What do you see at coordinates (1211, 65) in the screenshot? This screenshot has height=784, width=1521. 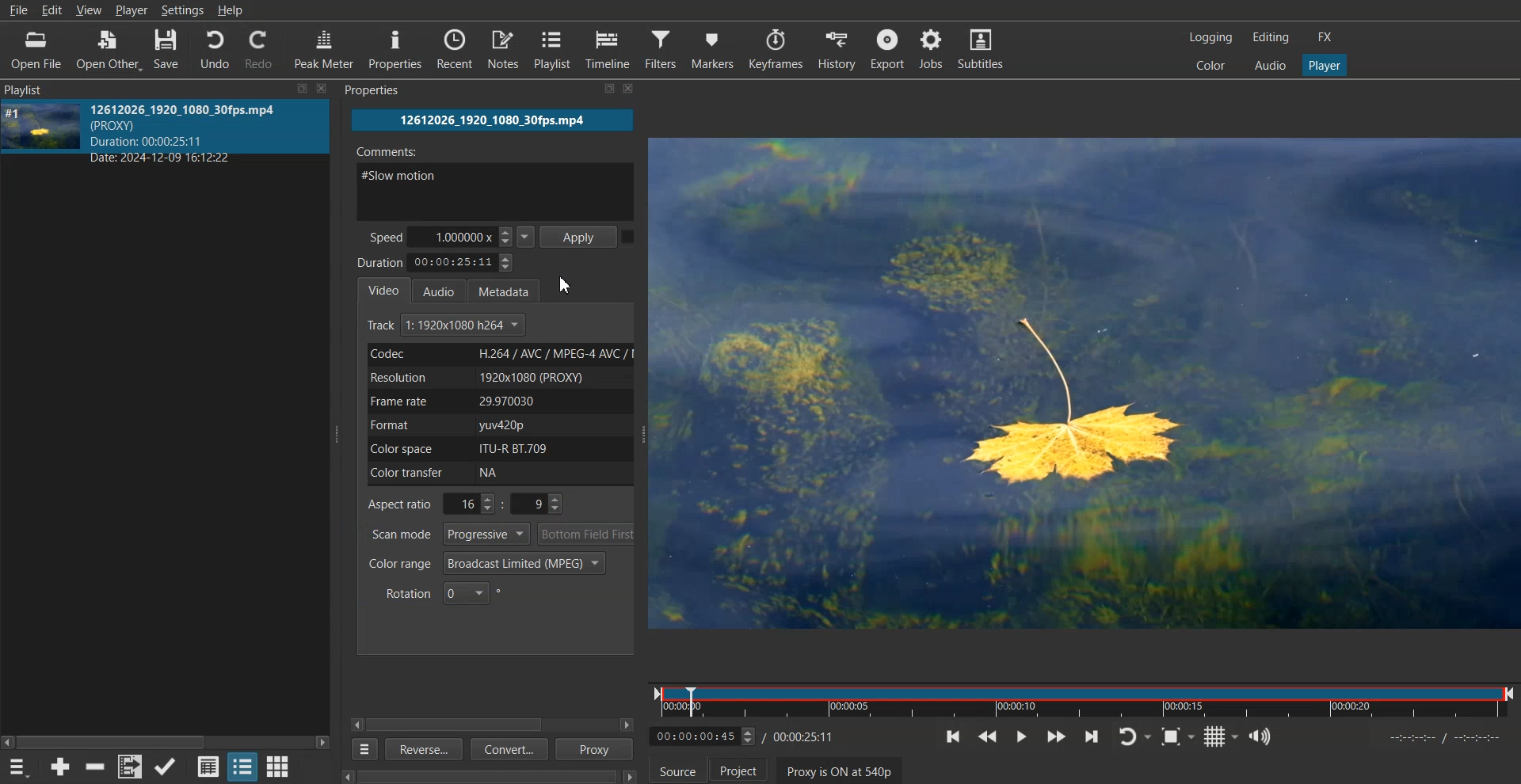 I see `Color` at bounding box center [1211, 65].